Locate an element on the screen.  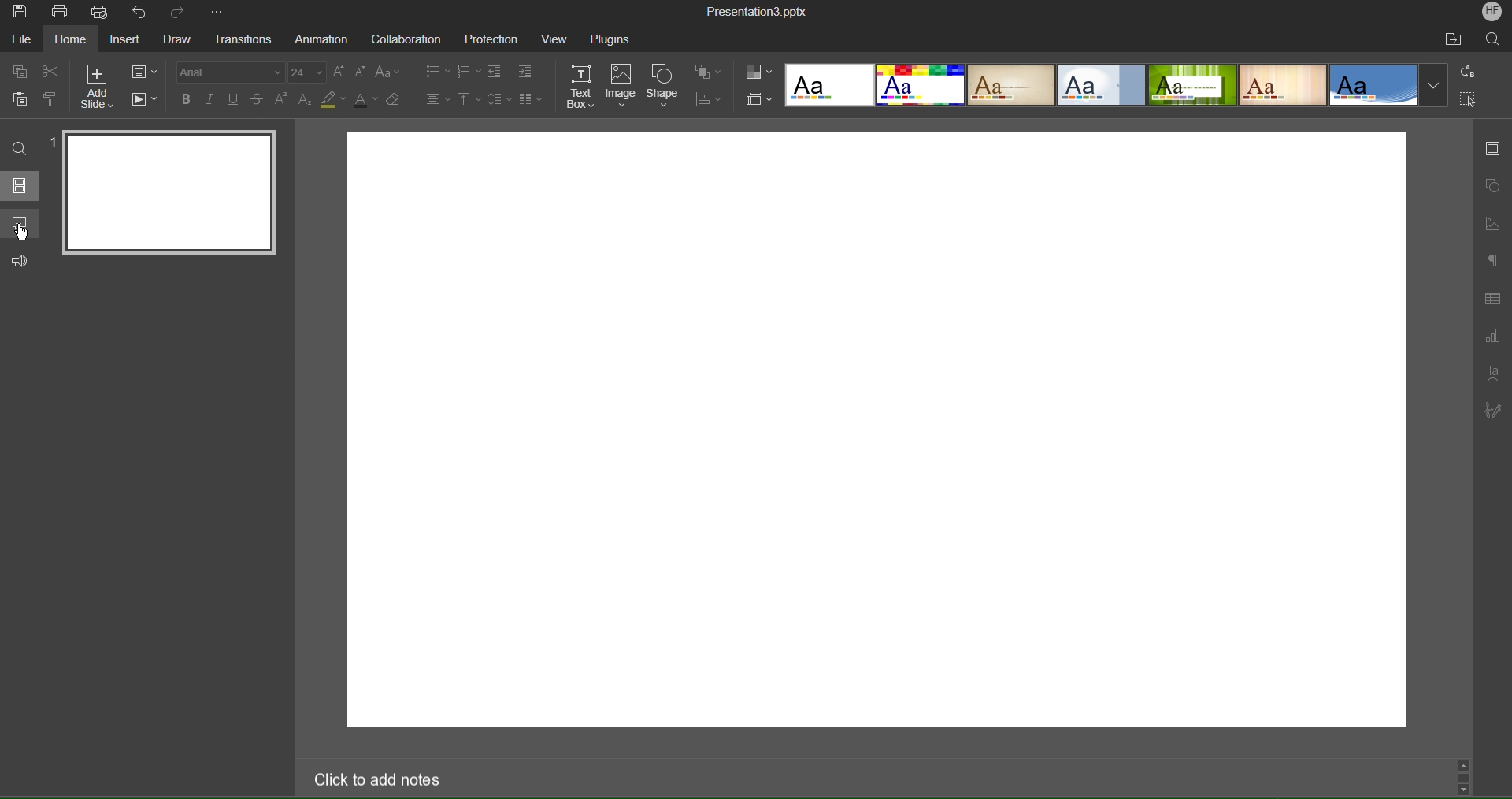
Playback is located at coordinates (145, 99).